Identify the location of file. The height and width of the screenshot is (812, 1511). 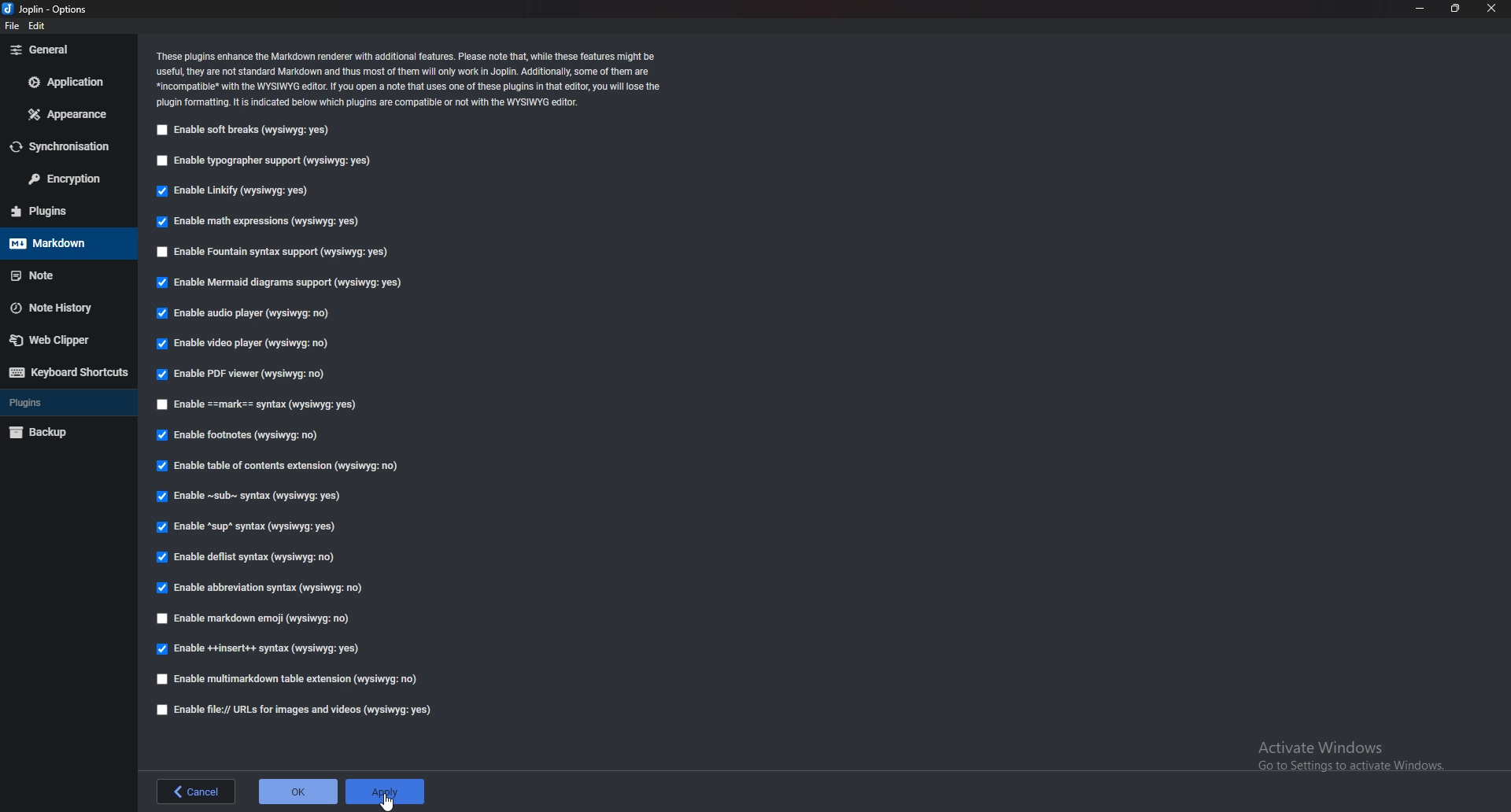
(15, 26).